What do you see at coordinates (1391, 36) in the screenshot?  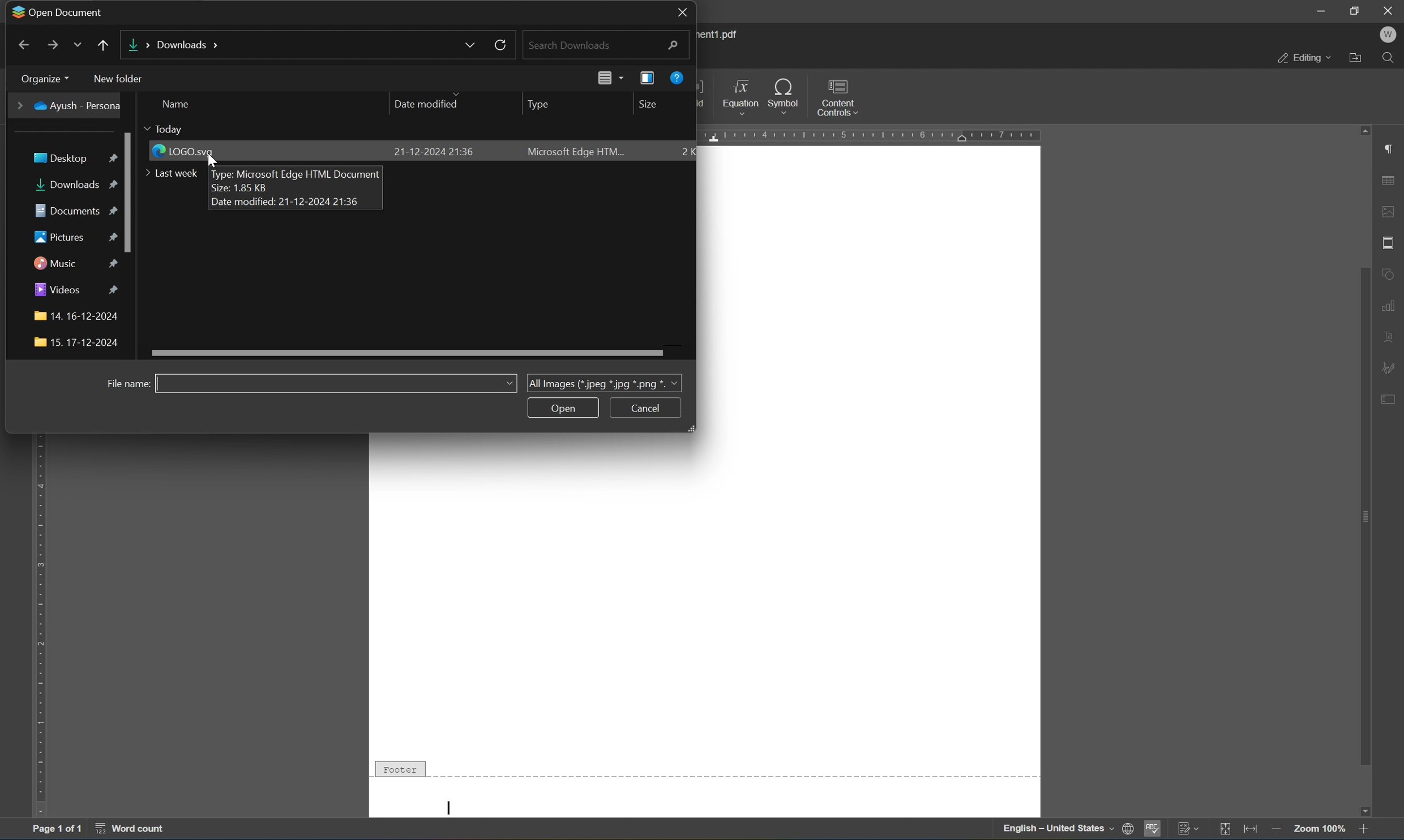 I see `profile` at bounding box center [1391, 36].